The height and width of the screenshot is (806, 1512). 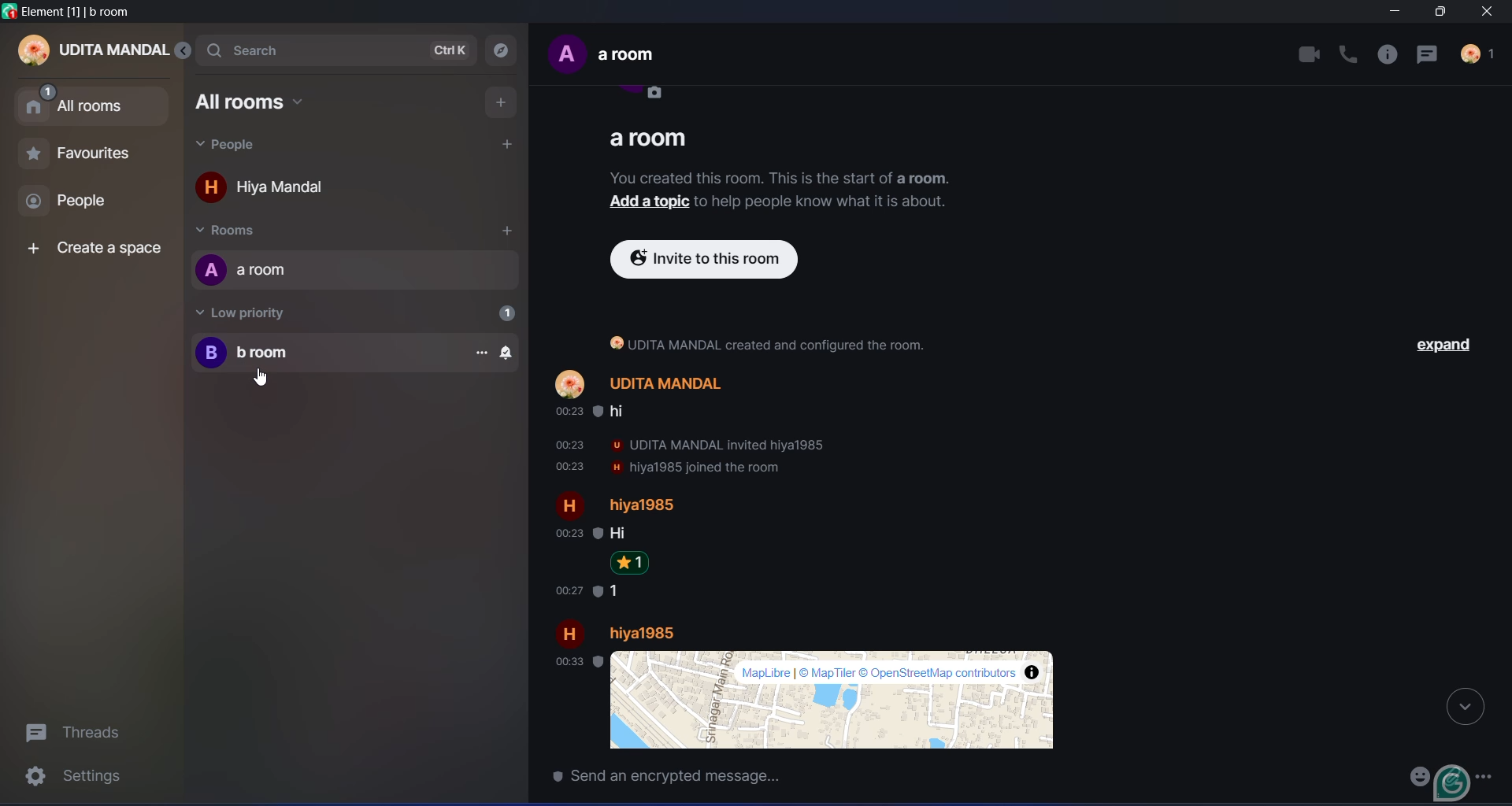 I want to click on Threads, so click(x=80, y=730).